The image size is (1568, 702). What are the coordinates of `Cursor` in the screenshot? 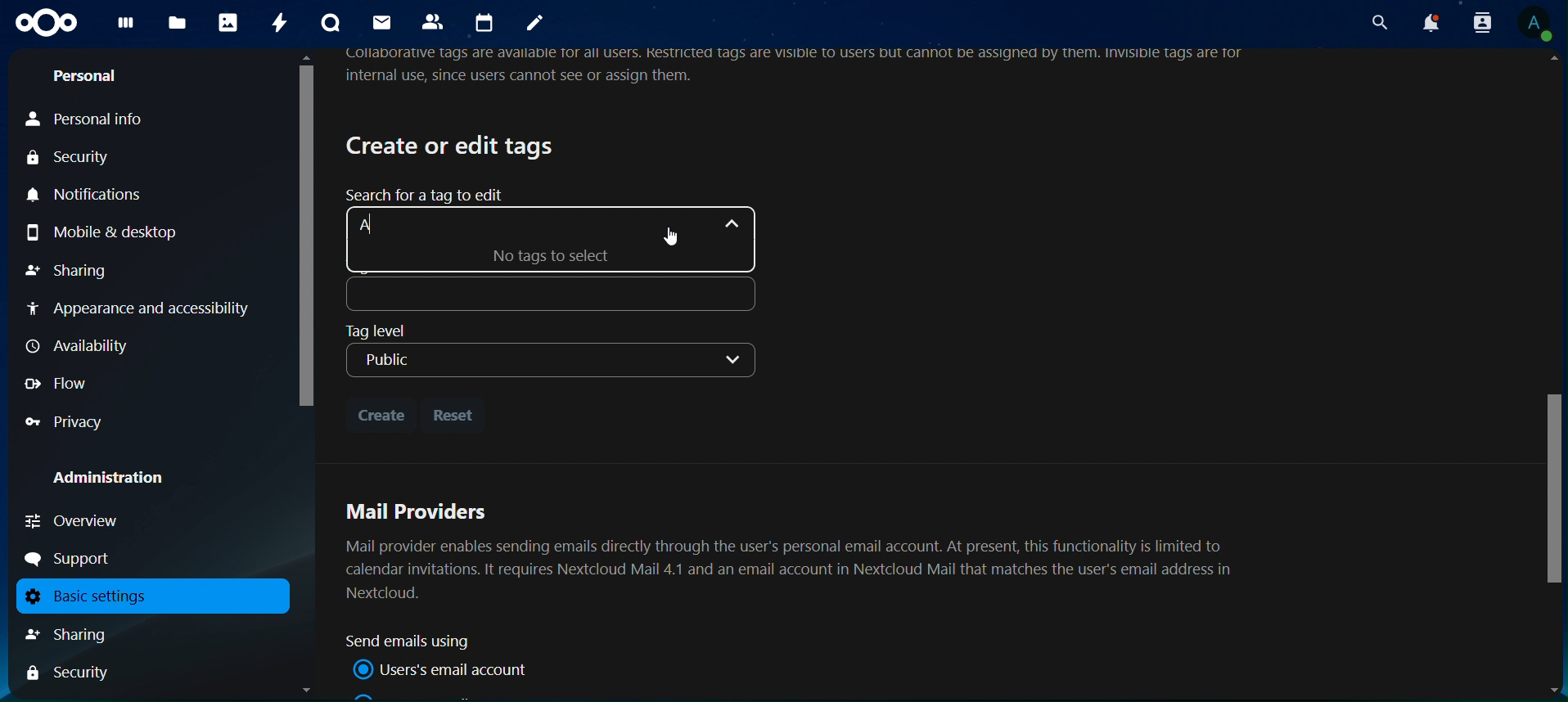 It's located at (669, 236).